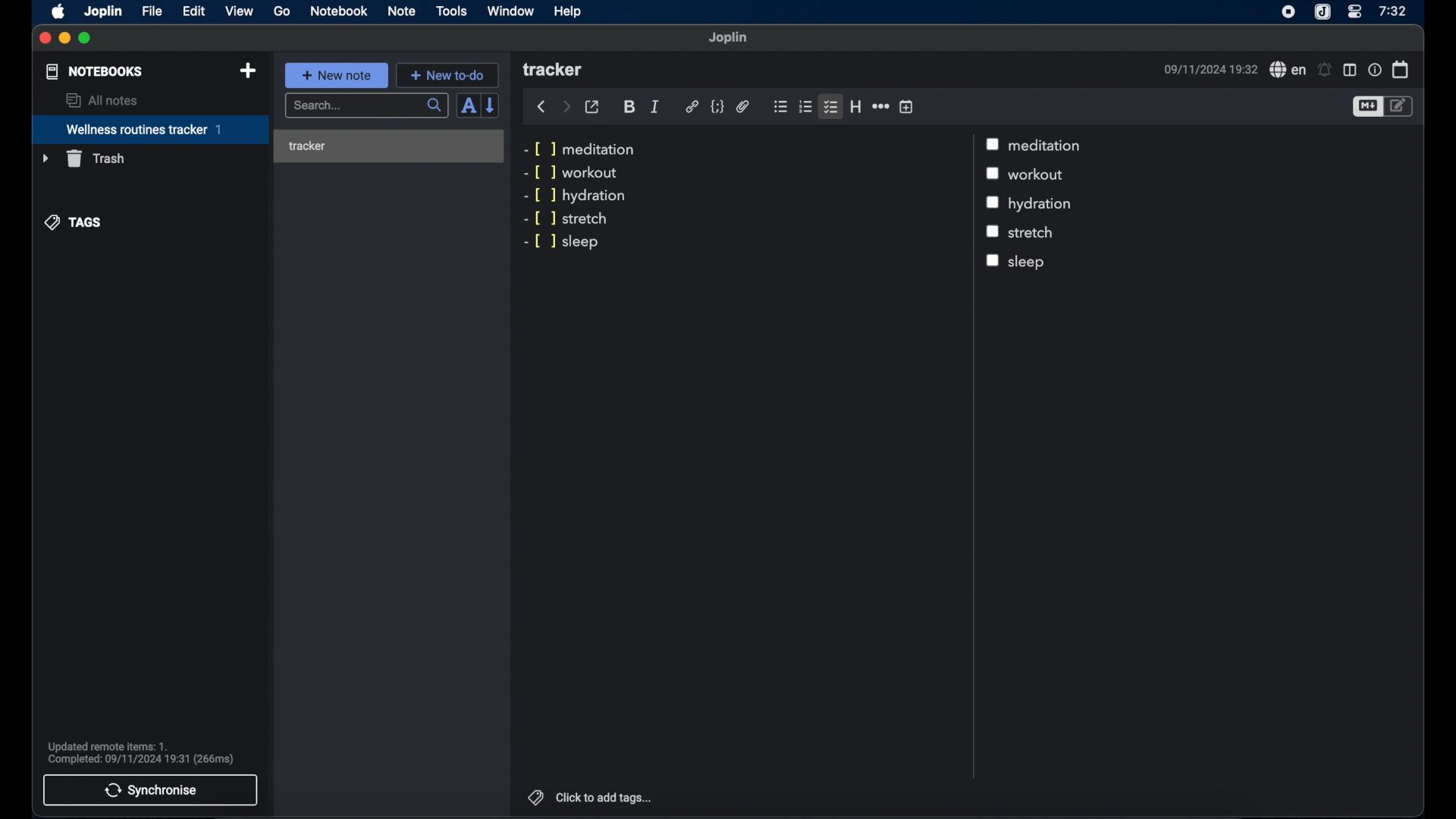 This screenshot has height=819, width=1456. What do you see at coordinates (368, 106) in the screenshot?
I see `search...` at bounding box center [368, 106].